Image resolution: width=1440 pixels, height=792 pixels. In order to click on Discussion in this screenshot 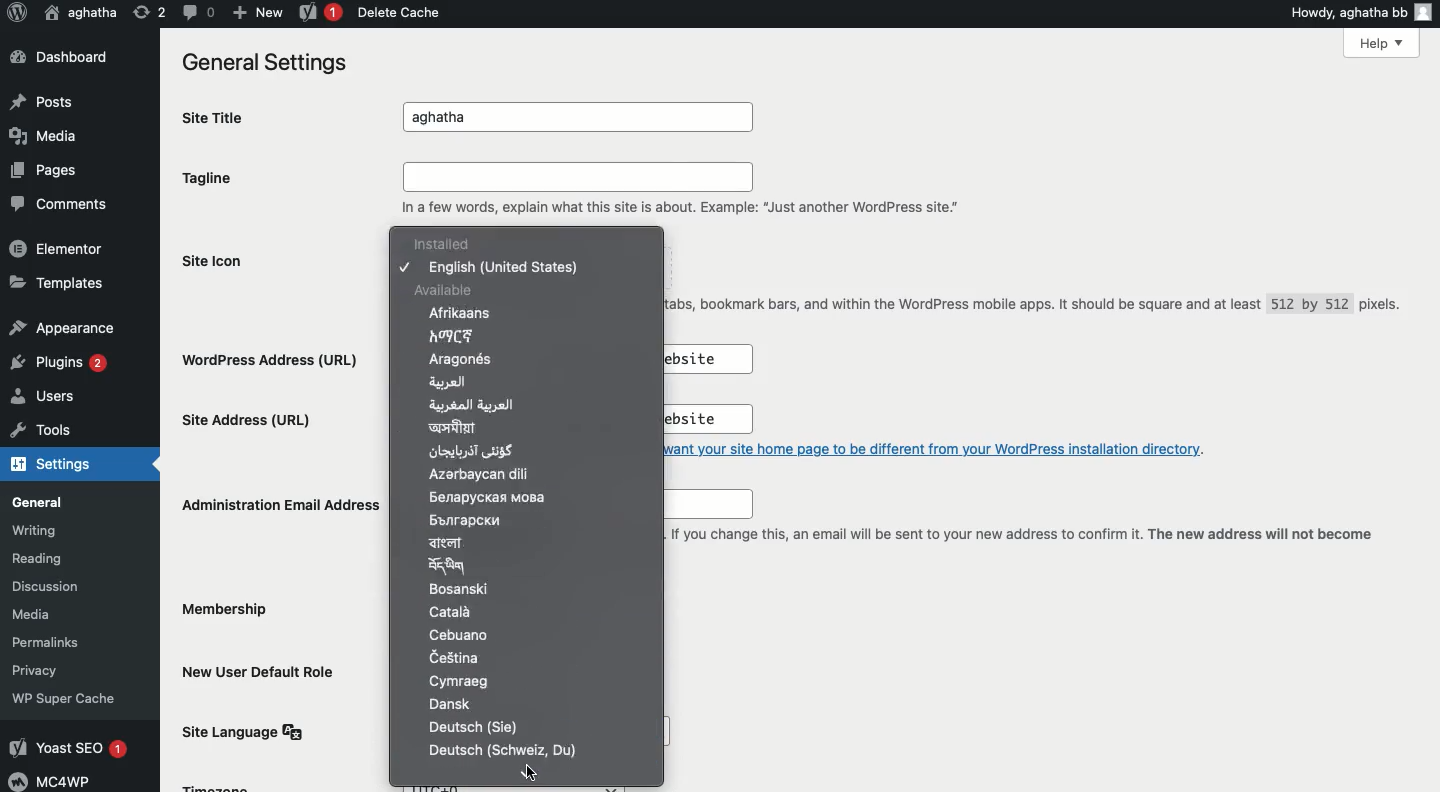, I will do `click(55, 585)`.